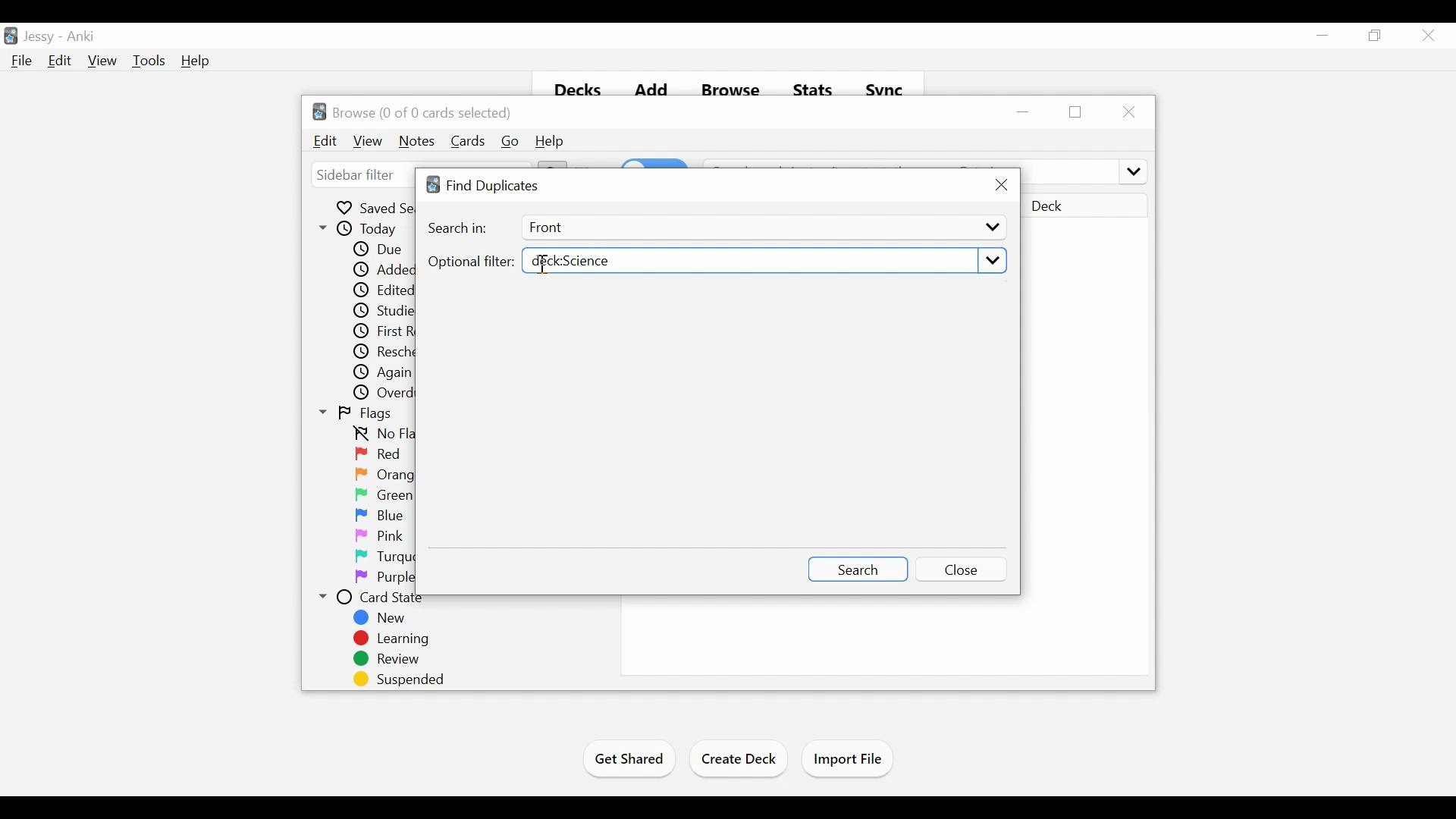 This screenshot has height=819, width=1456. What do you see at coordinates (413, 111) in the screenshot?
I see `Browse (number of selected cards)` at bounding box center [413, 111].